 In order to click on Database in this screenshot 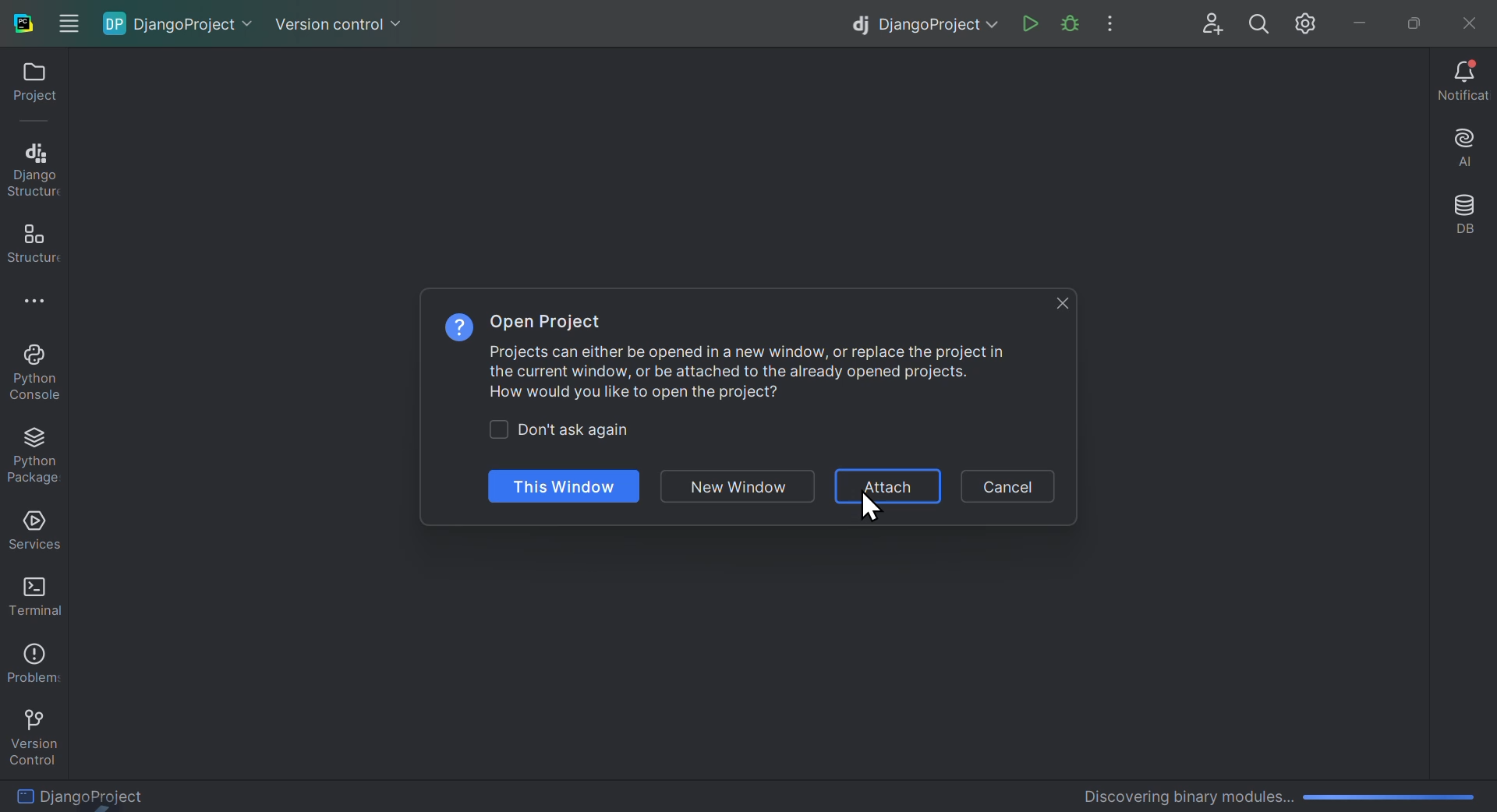, I will do `click(1464, 217)`.